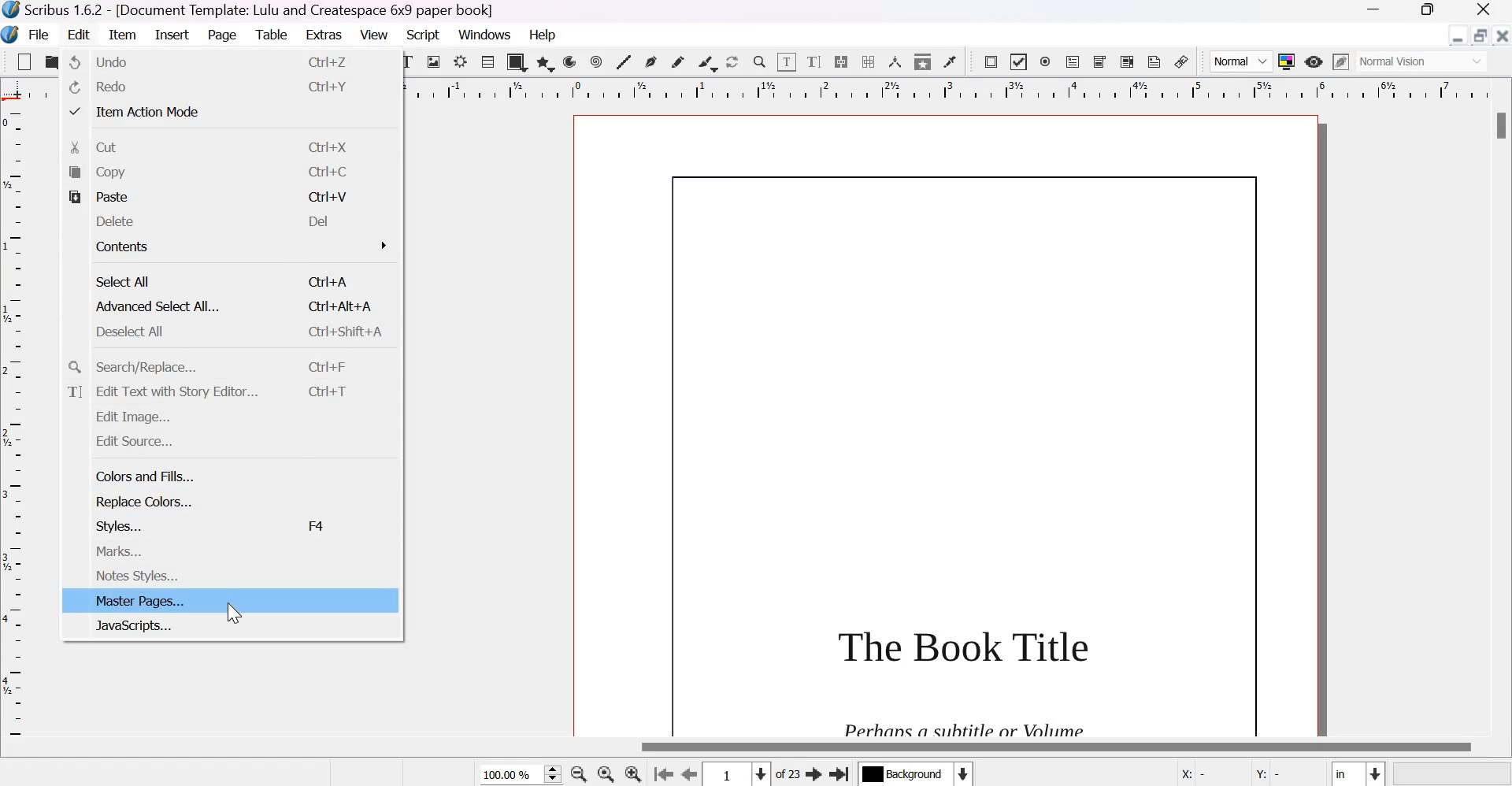 The image size is (1512, 786). Describe the element at coordinates (1128, 61) in the screenshot. I see `PDF list box` at that location.